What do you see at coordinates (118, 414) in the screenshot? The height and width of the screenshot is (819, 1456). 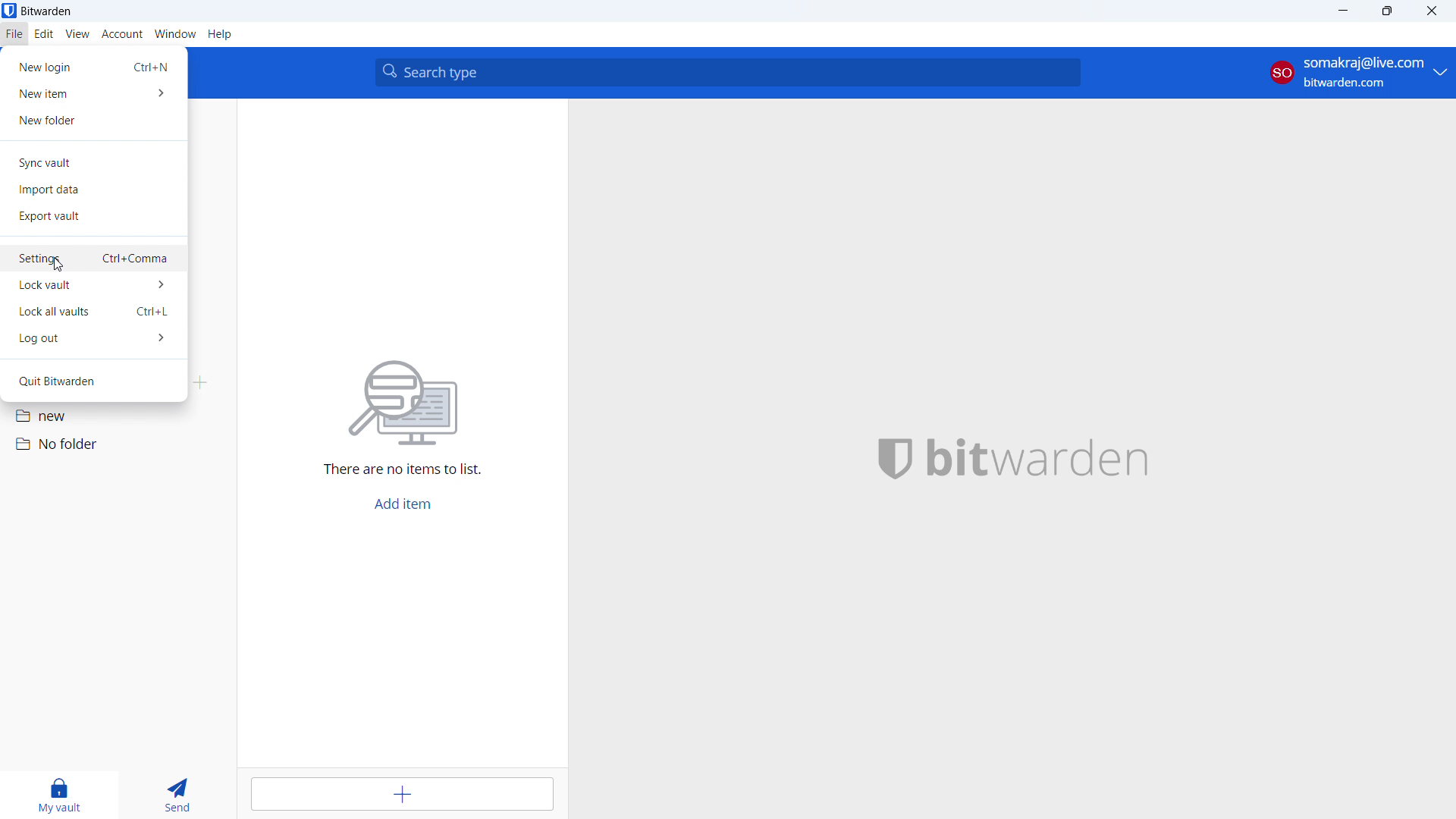 I see `folder 1` at bounding box center [118, 414].